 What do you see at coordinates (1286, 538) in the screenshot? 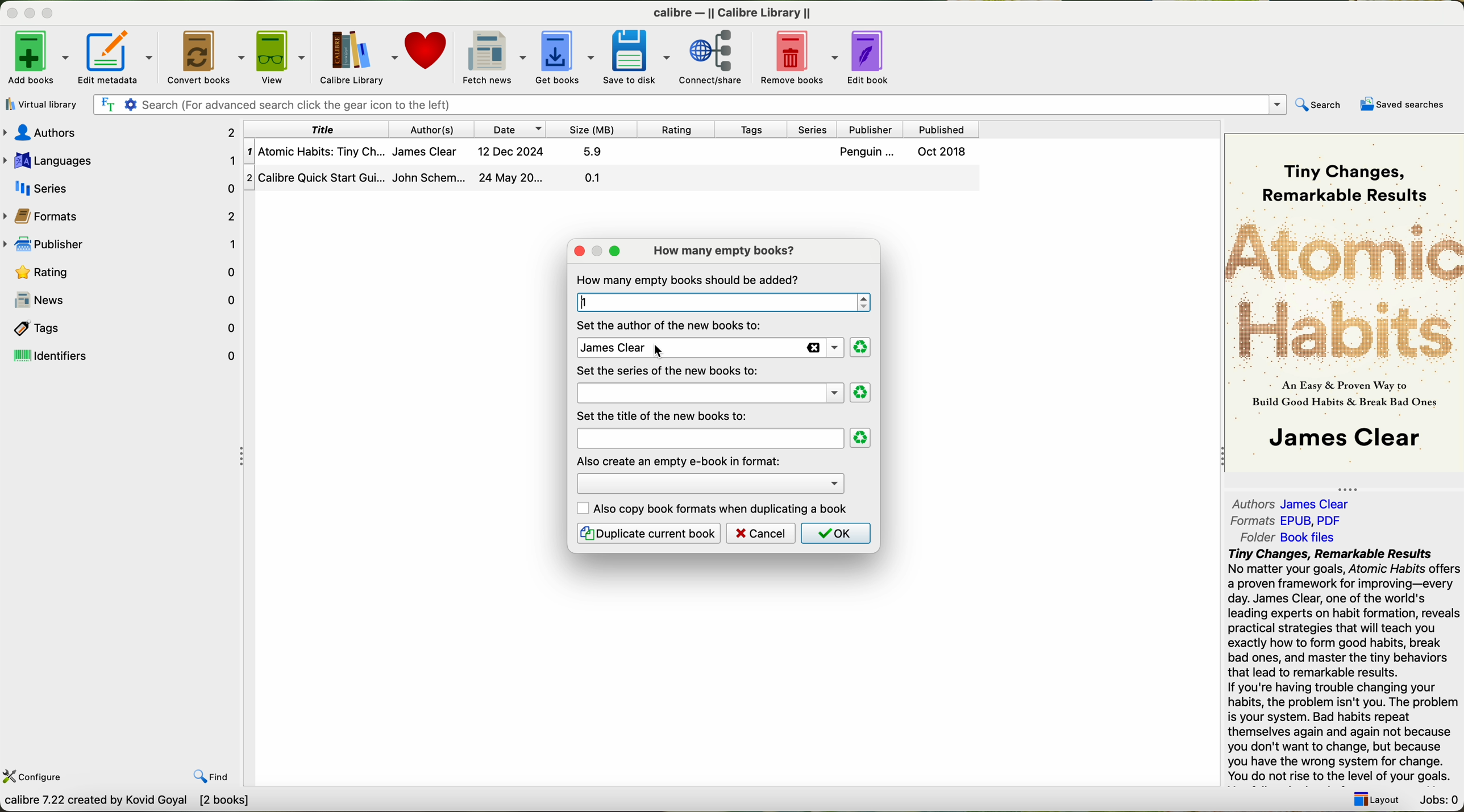
I see `folder` at bounding box center [1286, 538].